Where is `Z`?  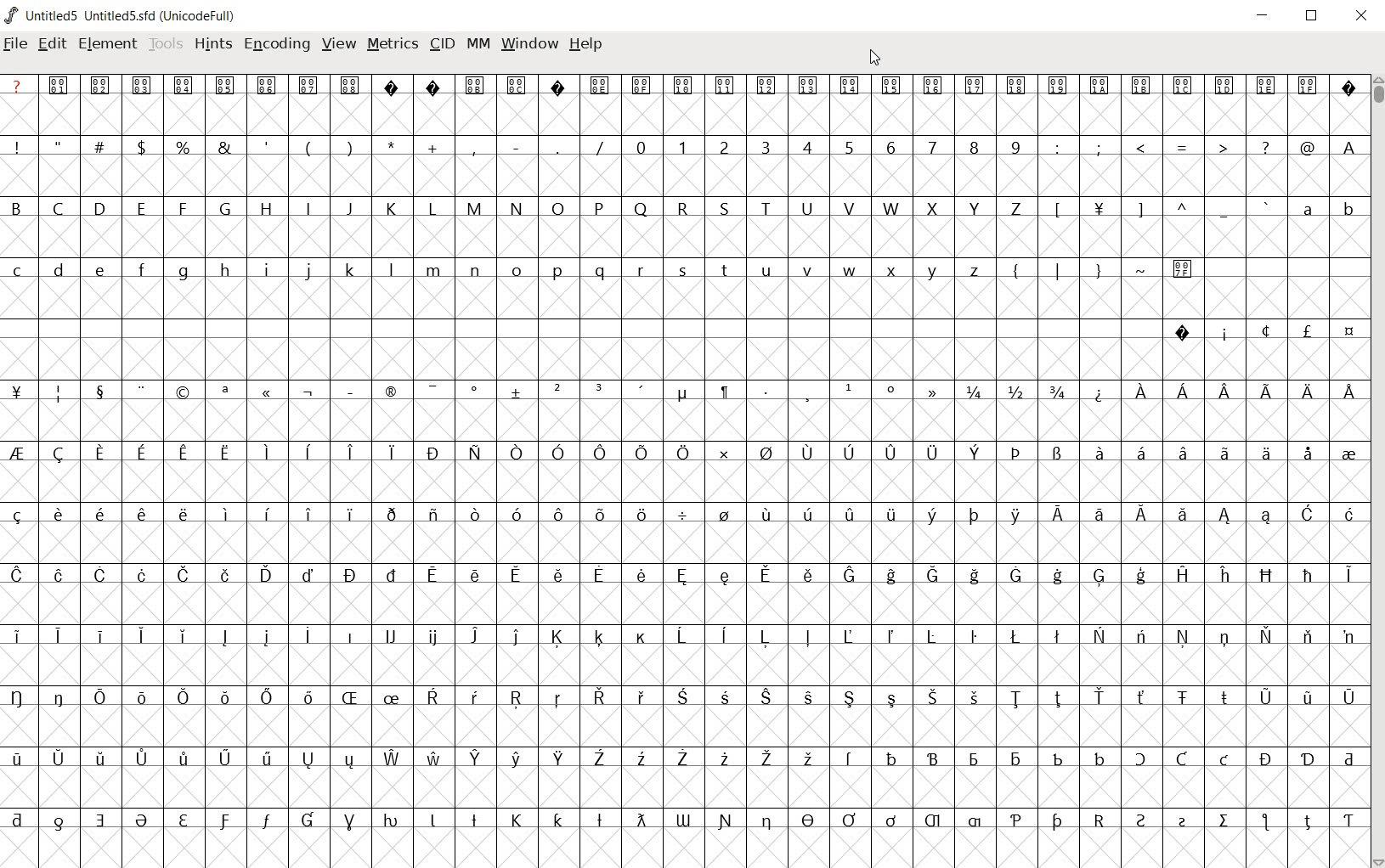
Z is located at coordinates (1016, 210).